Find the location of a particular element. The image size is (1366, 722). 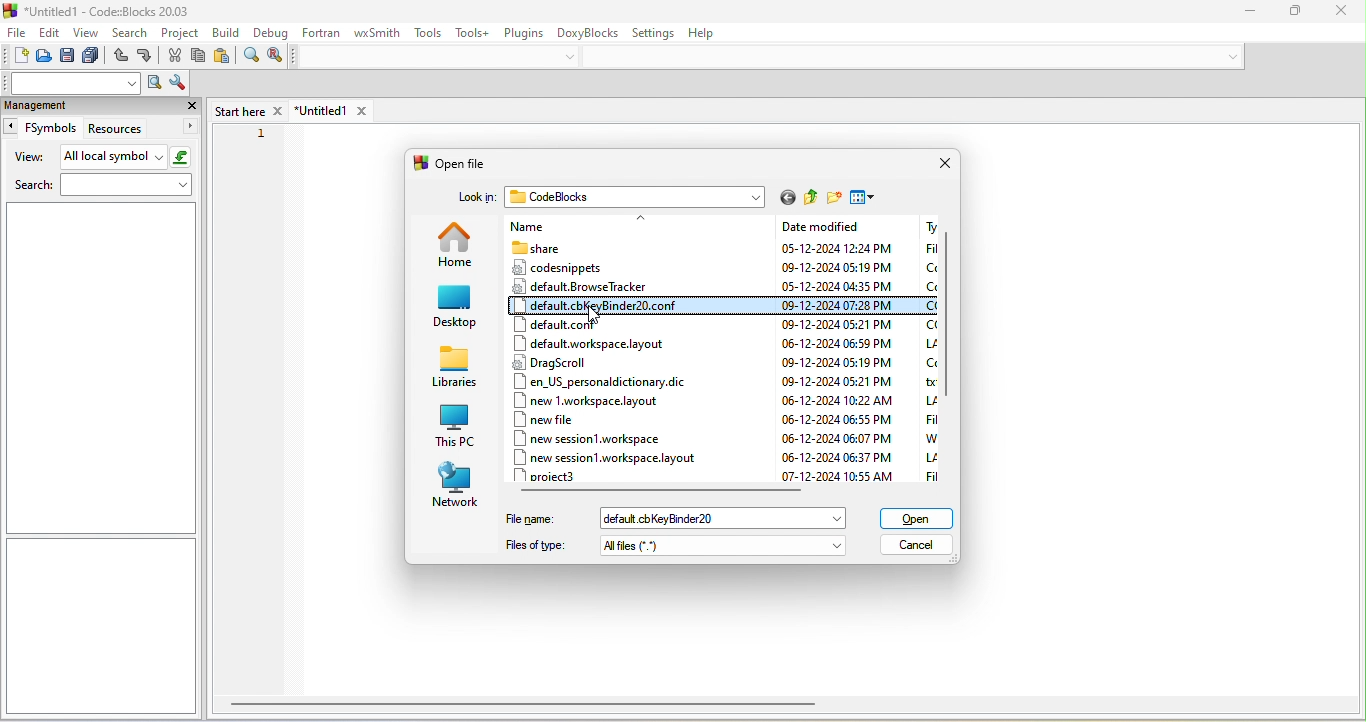

replace is located at coordinates (278, 57).